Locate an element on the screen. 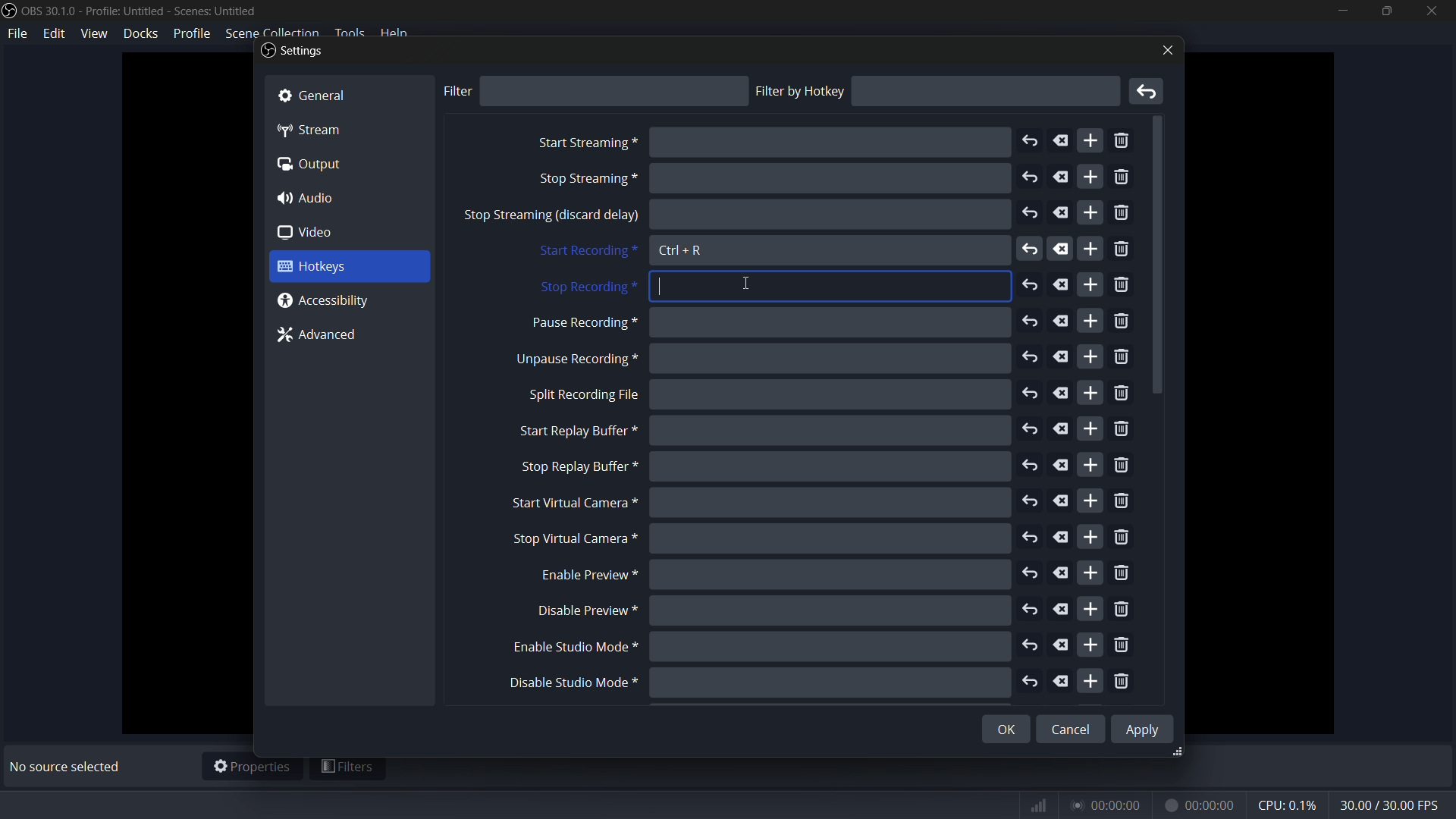 The image size is (1456, 819). add more is located at coordinates (1090, 465).